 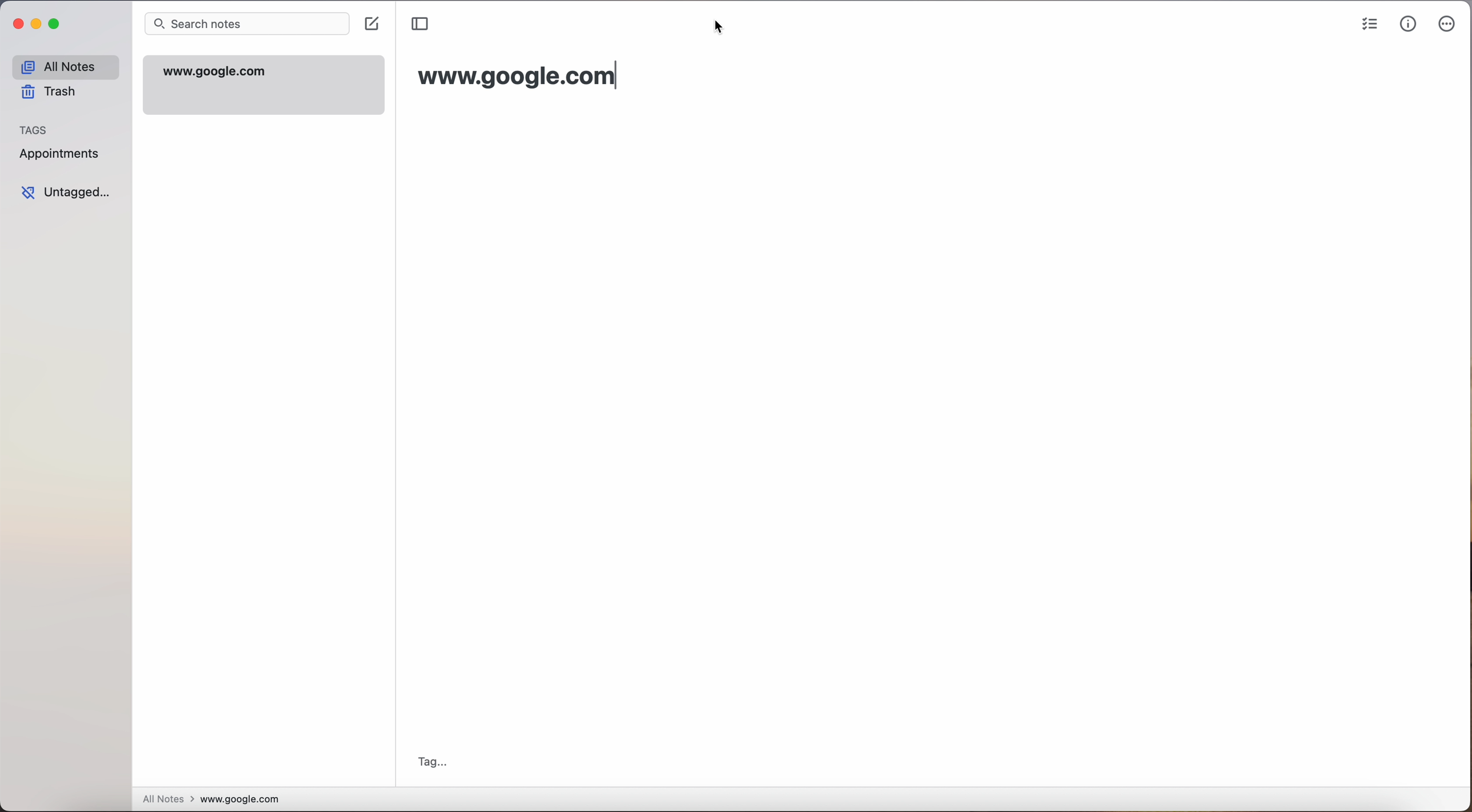 What do you see at coordinates (373, 28) in the screenshot?
I see `click on create note` at bounding box center [373, 28].